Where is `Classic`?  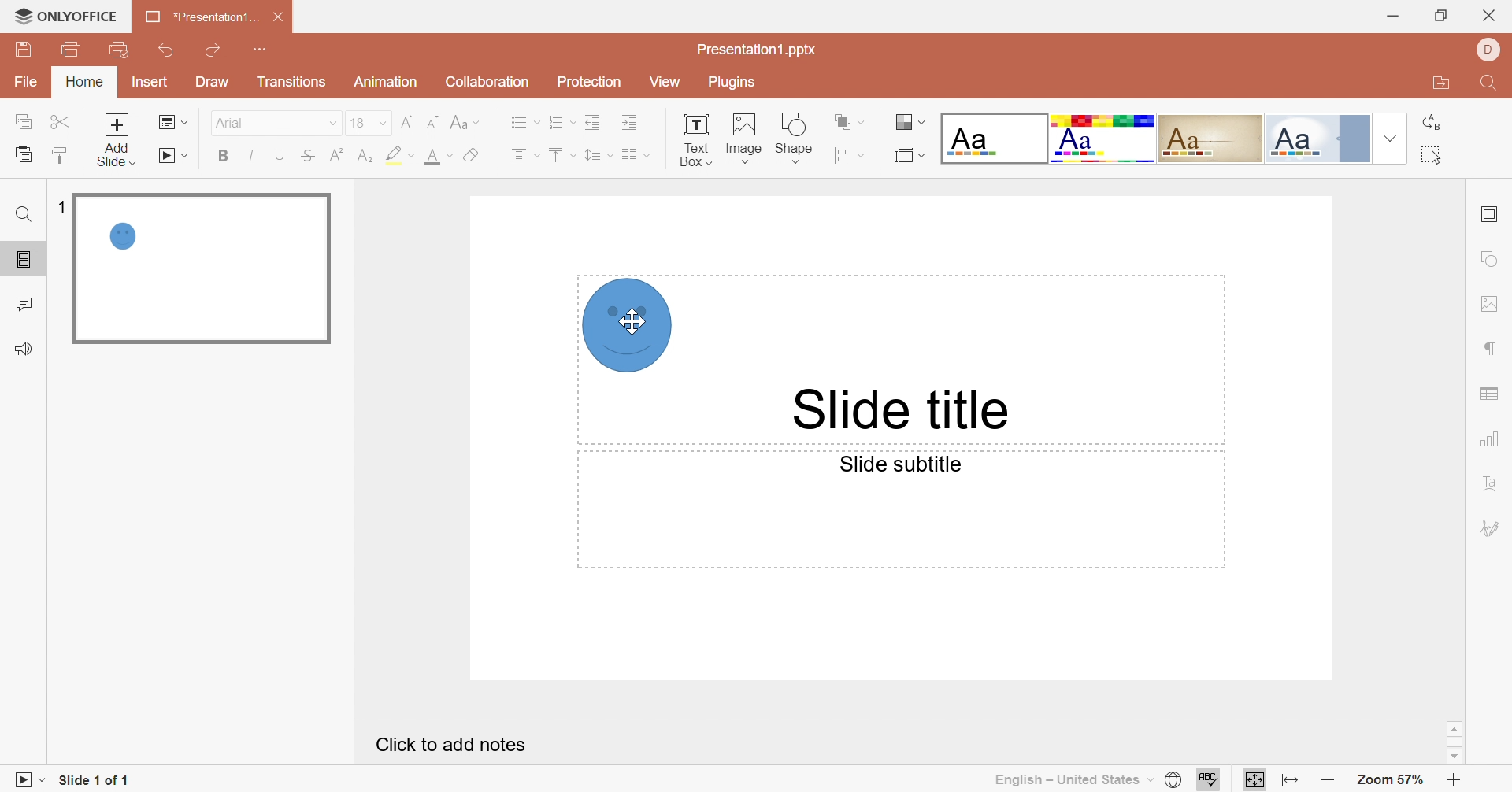 Classic is located at coordinates (1212, 136).